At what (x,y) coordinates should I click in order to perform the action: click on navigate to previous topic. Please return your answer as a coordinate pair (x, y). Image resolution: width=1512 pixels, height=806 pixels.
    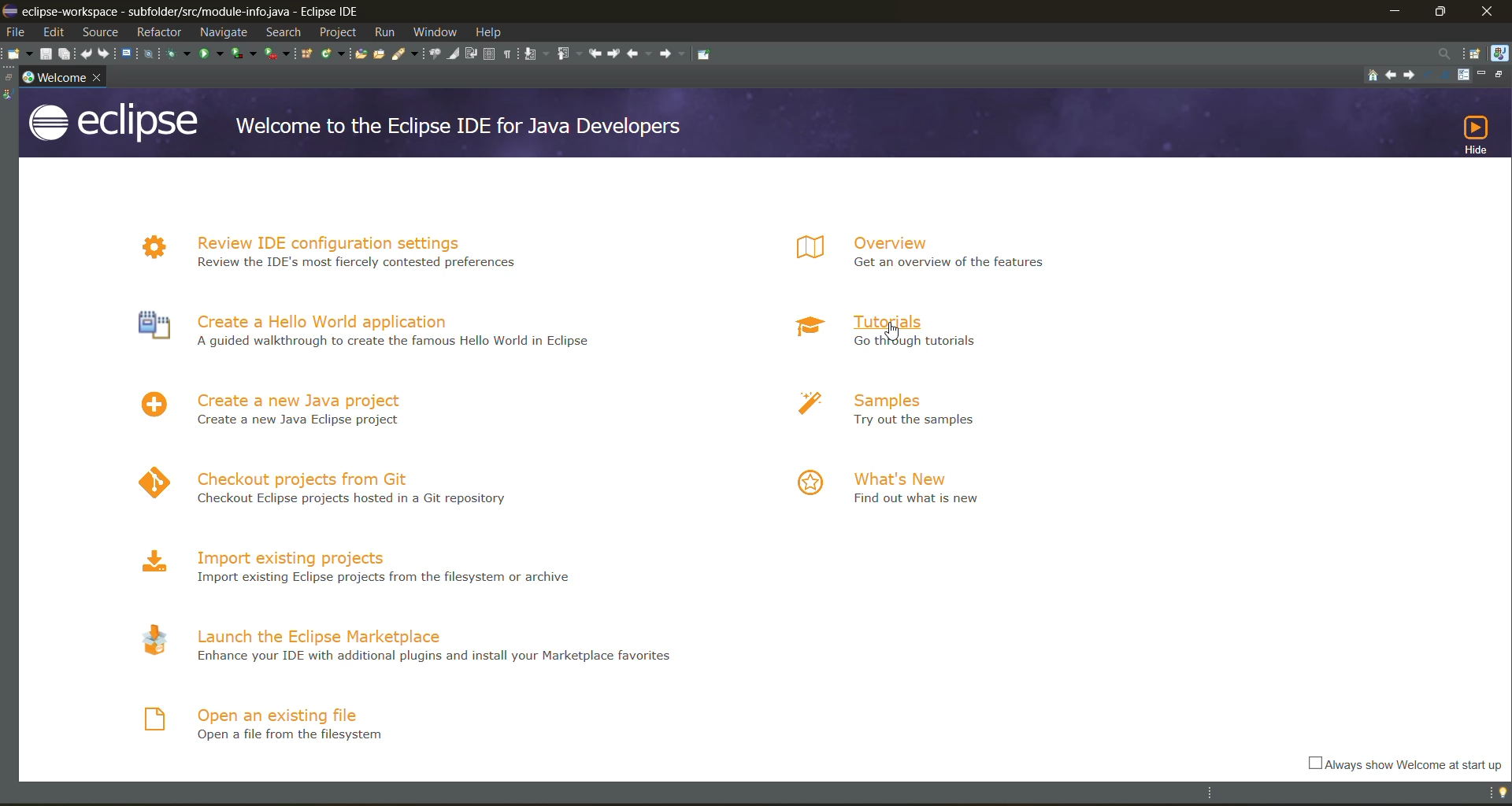
    Looking at the image, I should click on (1392, 74).